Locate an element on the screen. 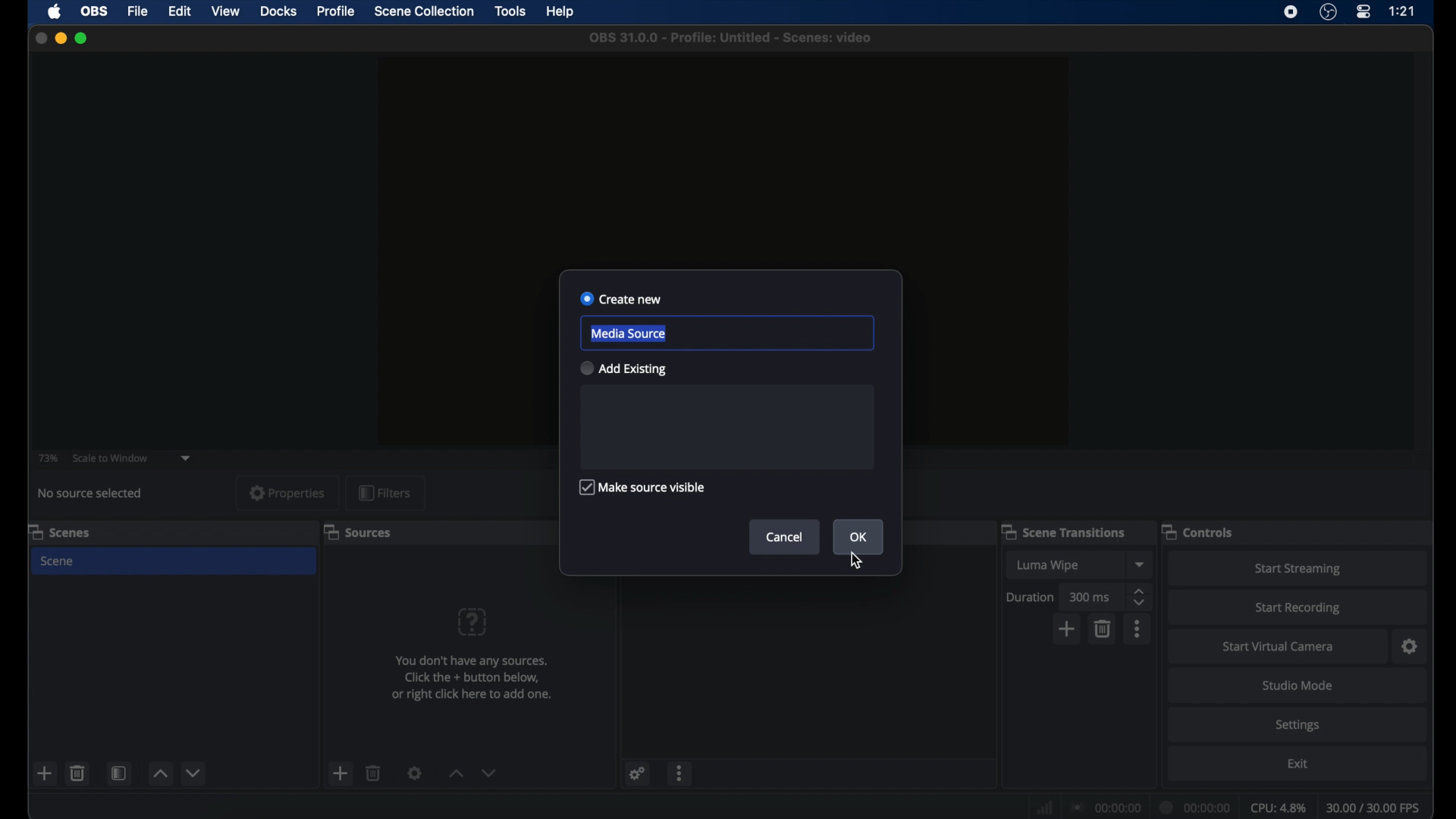  start streaming is located at coordinates (1300, 568).